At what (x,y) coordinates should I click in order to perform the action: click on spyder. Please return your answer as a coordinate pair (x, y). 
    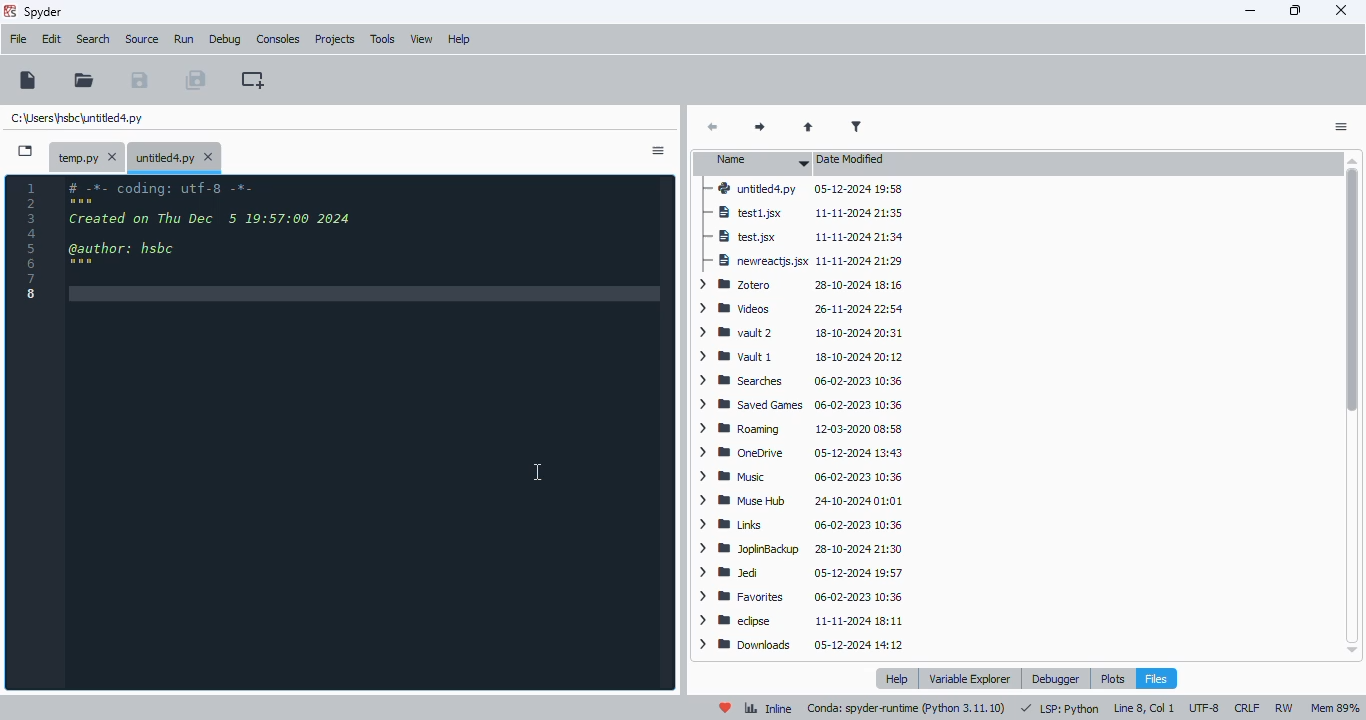
    Looking at the image, I should click on (44, 12).